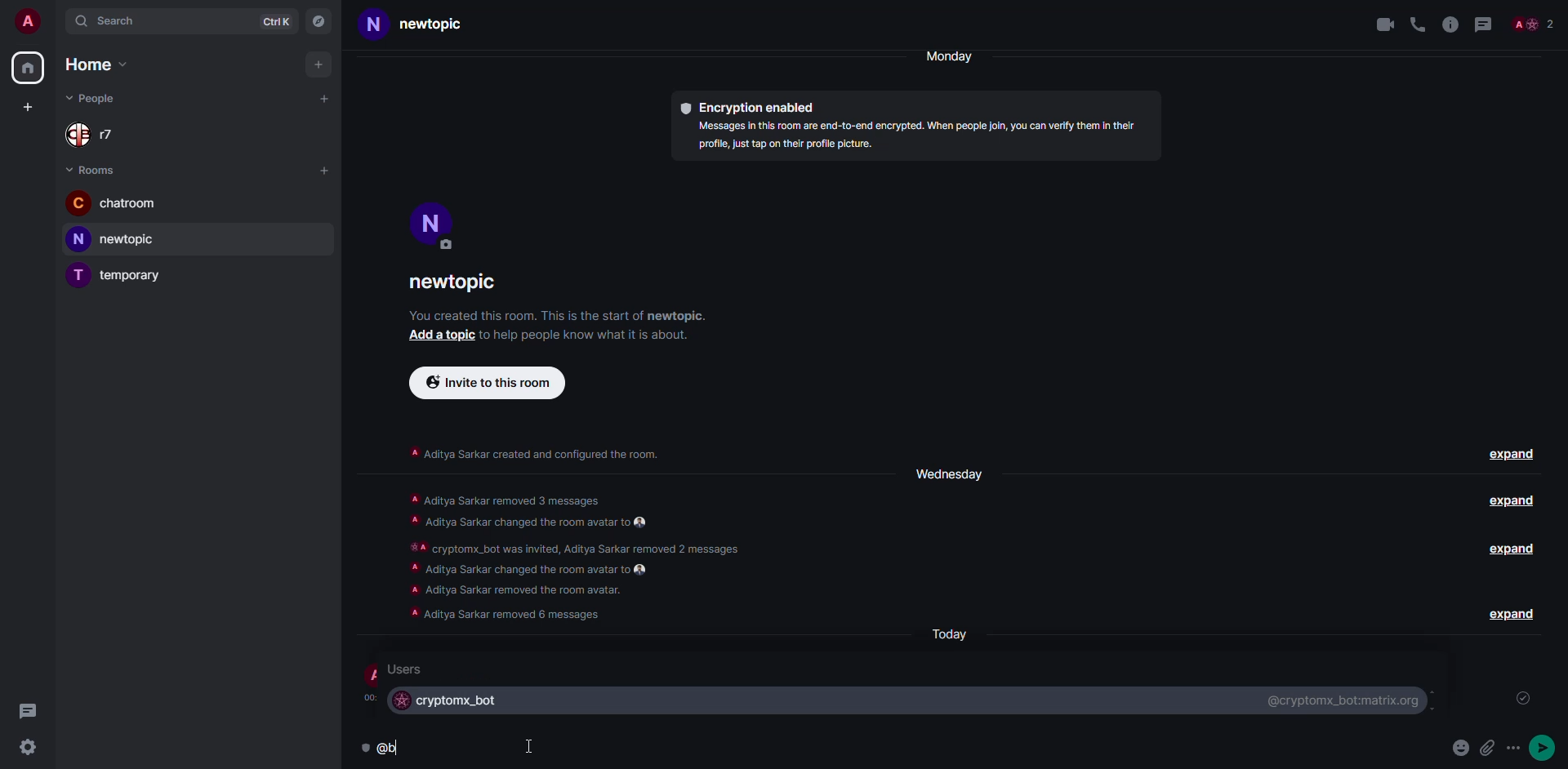 This screenshot has width=1568, height=769. I want to click on settings, so click(27, 749).